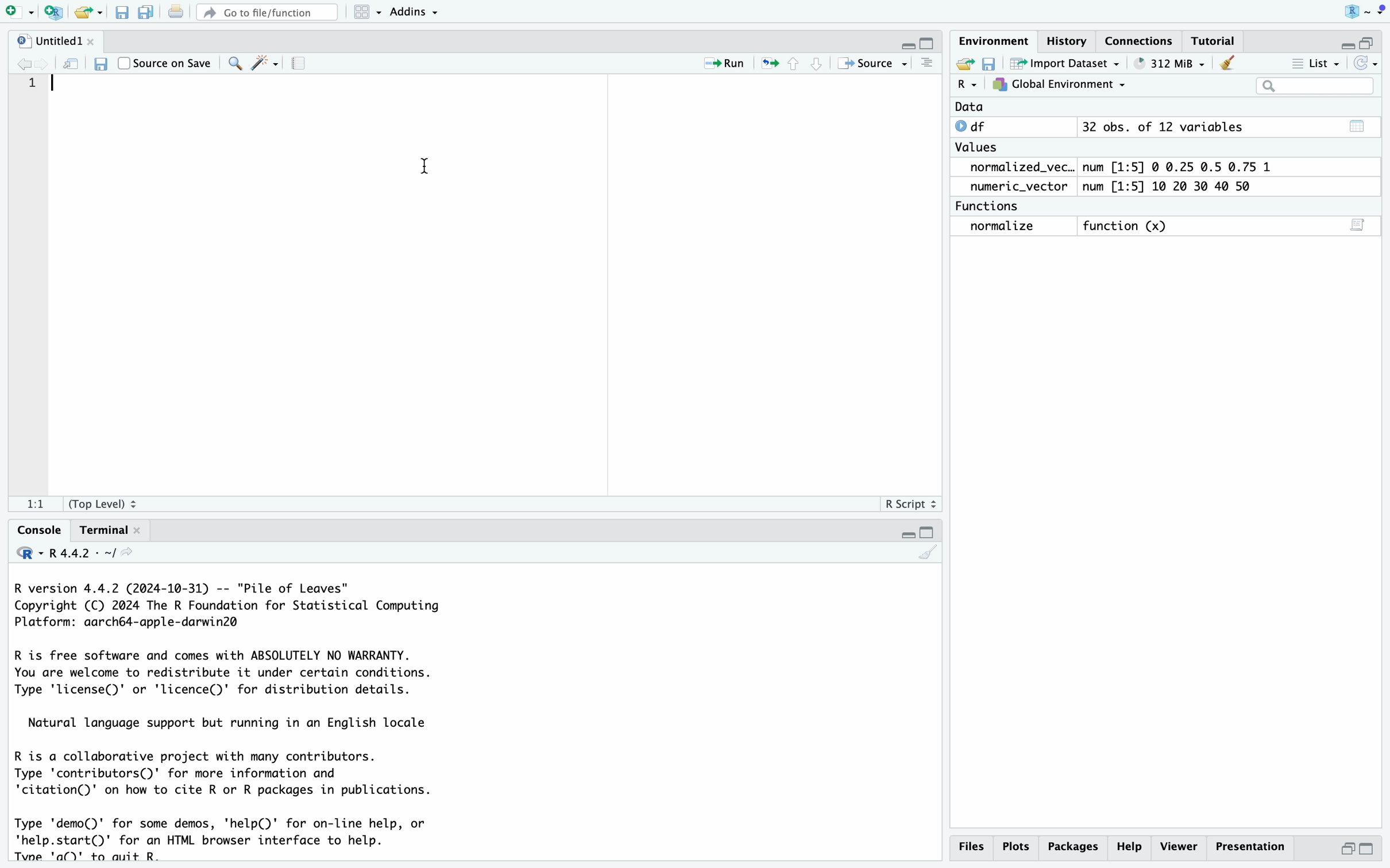 This screenshot has height=868, width=1390. Describe the element at coordinates (1223, 39) in the screenshot. I see `Tutorial` at that location.